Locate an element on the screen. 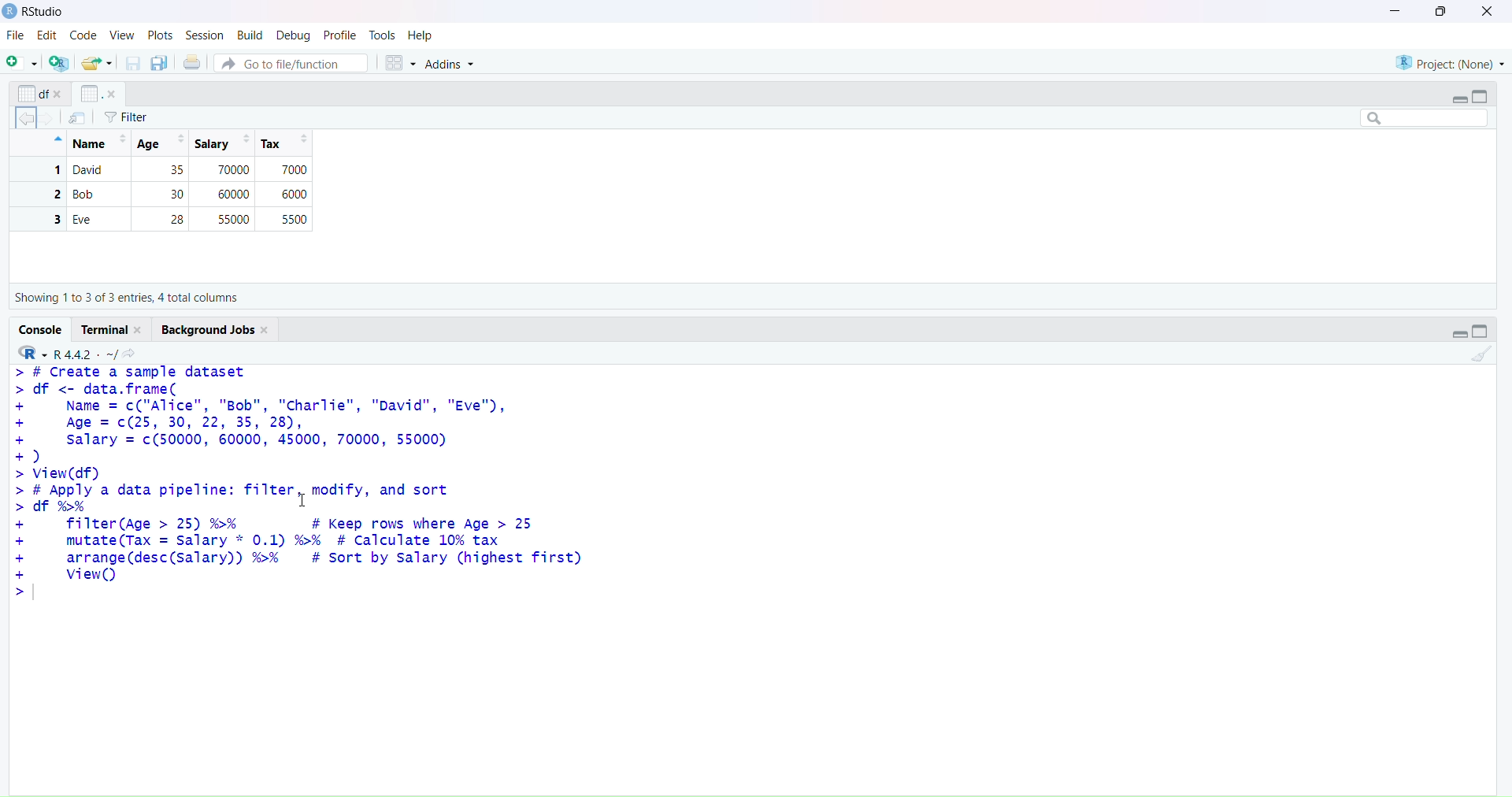  close is located at coordinates (1486, 13).